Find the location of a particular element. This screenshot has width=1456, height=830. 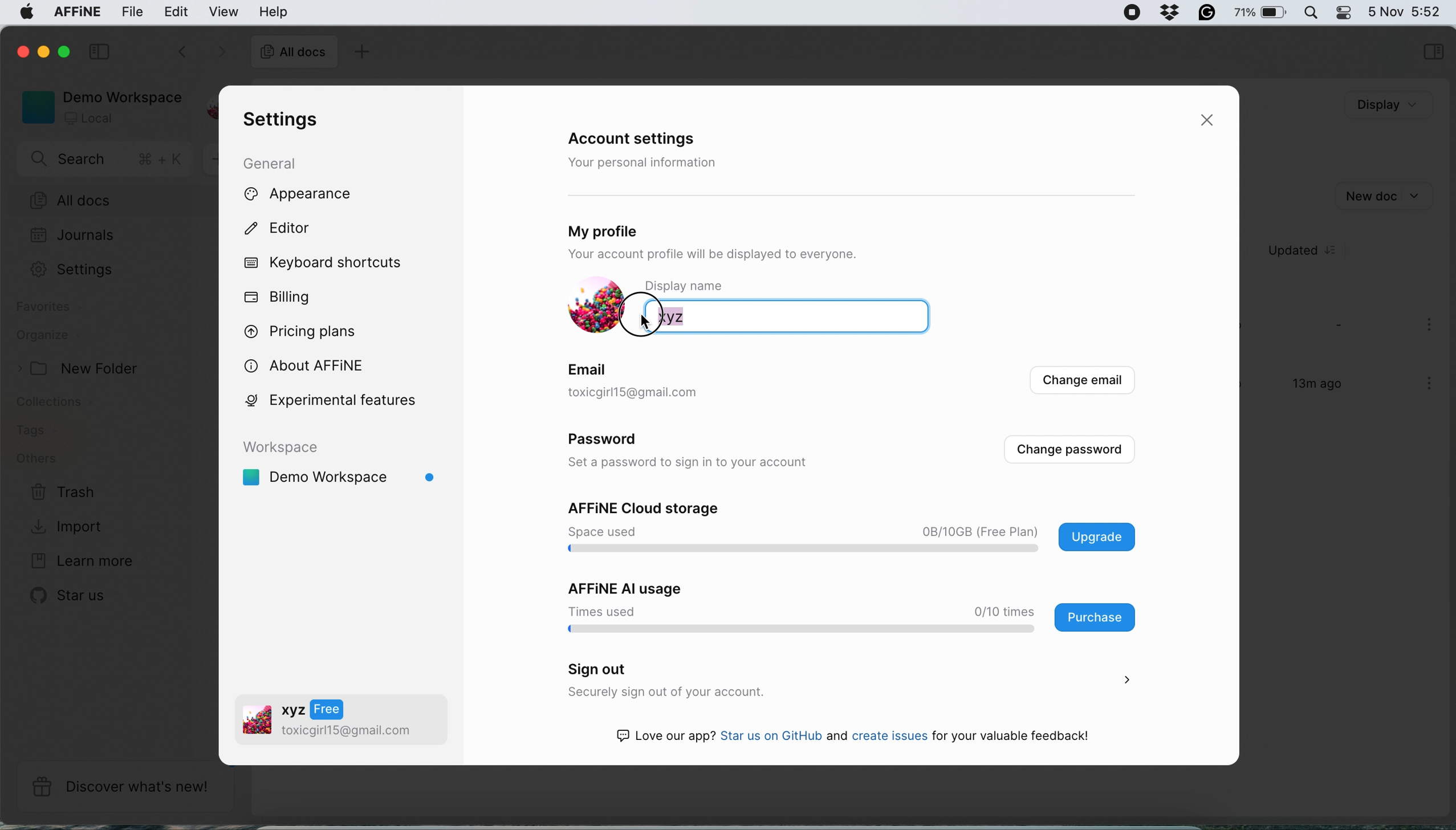

selections is located at coordinates (1433, 53).